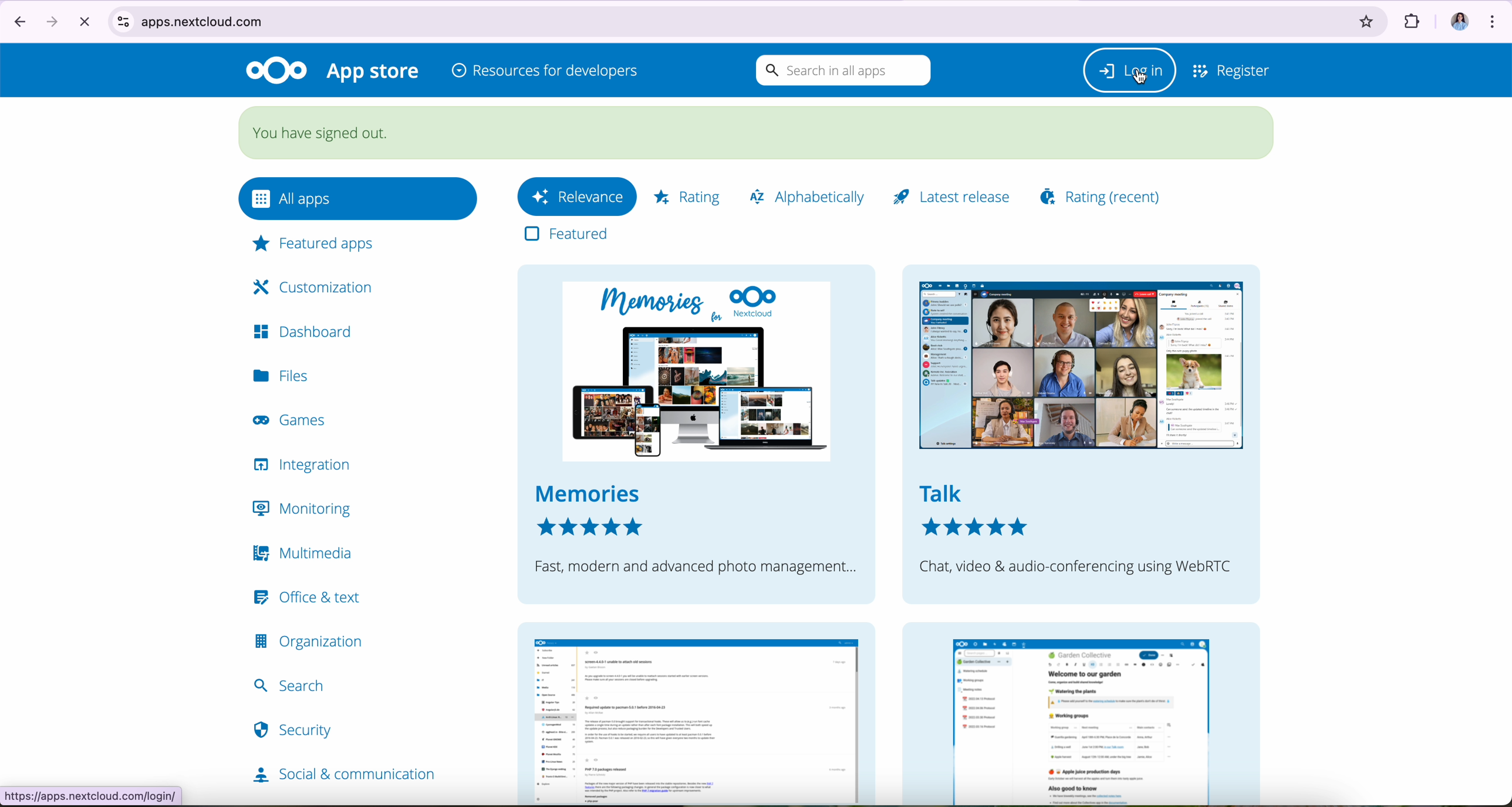 This screenshot has width=1512, height=807. I want to click on You have been signed out., so click(361, 127).